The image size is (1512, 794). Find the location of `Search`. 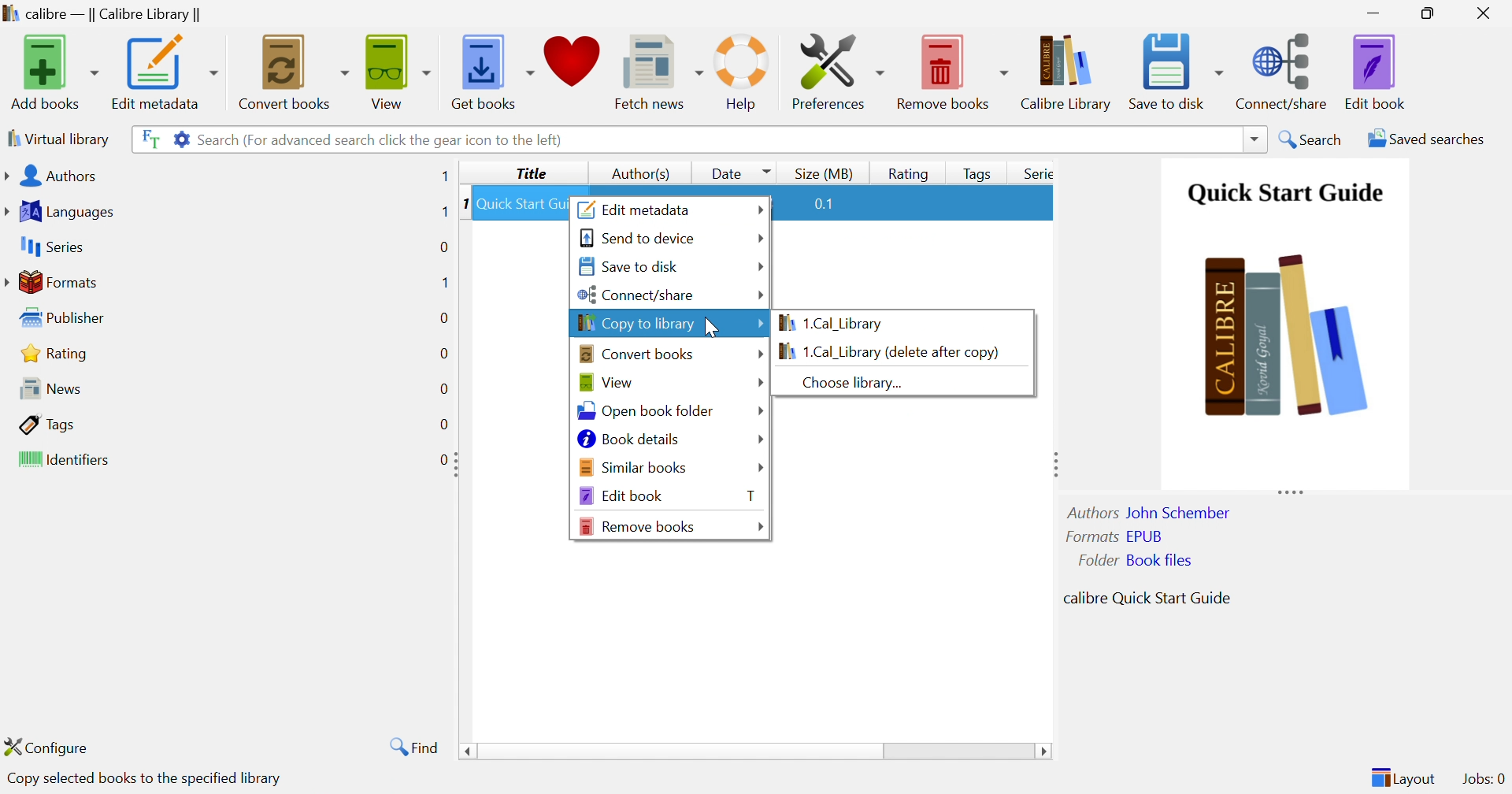

Search is located at coordinates (1312, 138).